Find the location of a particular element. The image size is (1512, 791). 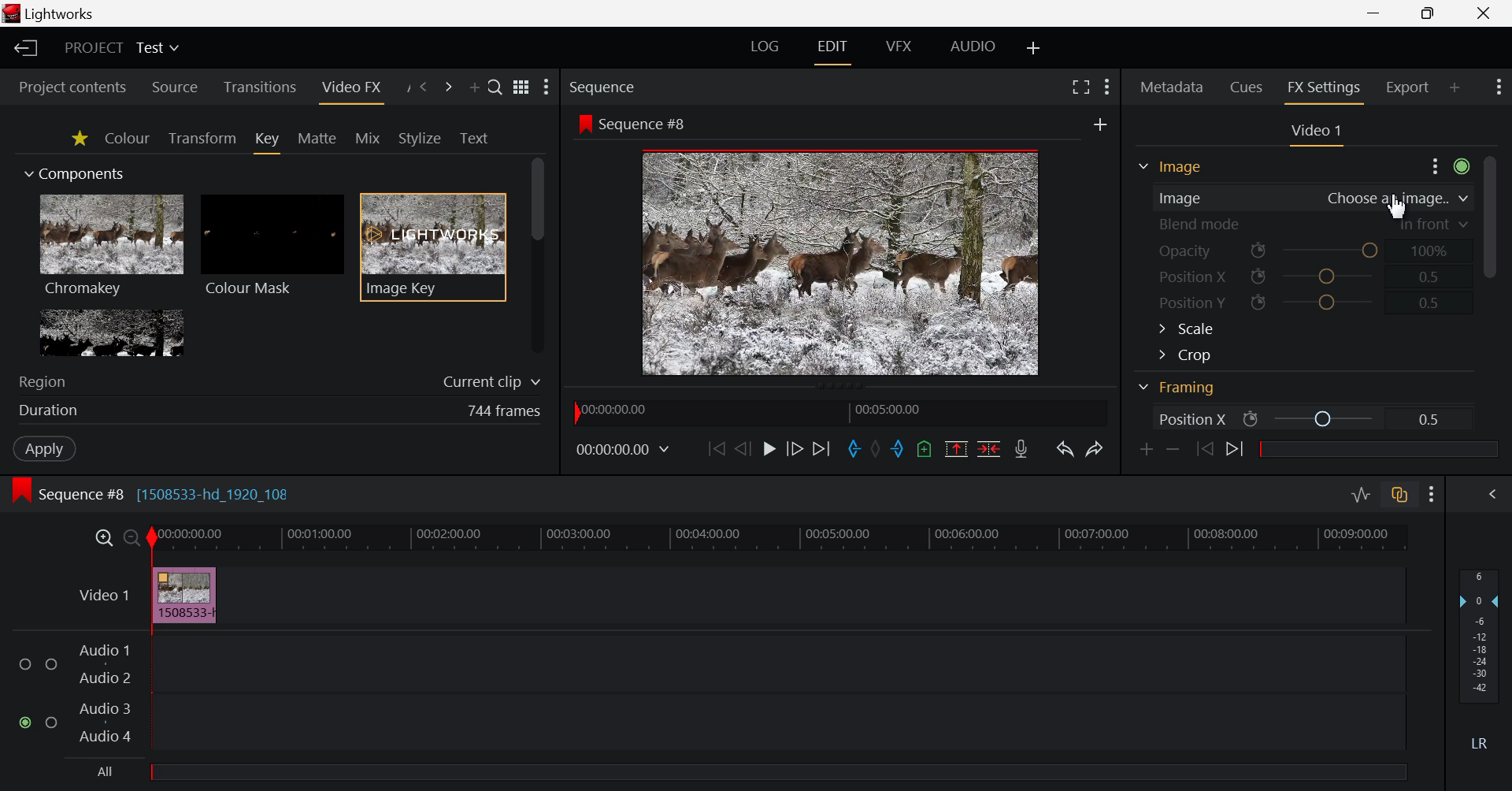

Go Forward is located at coordinates (795, 448).